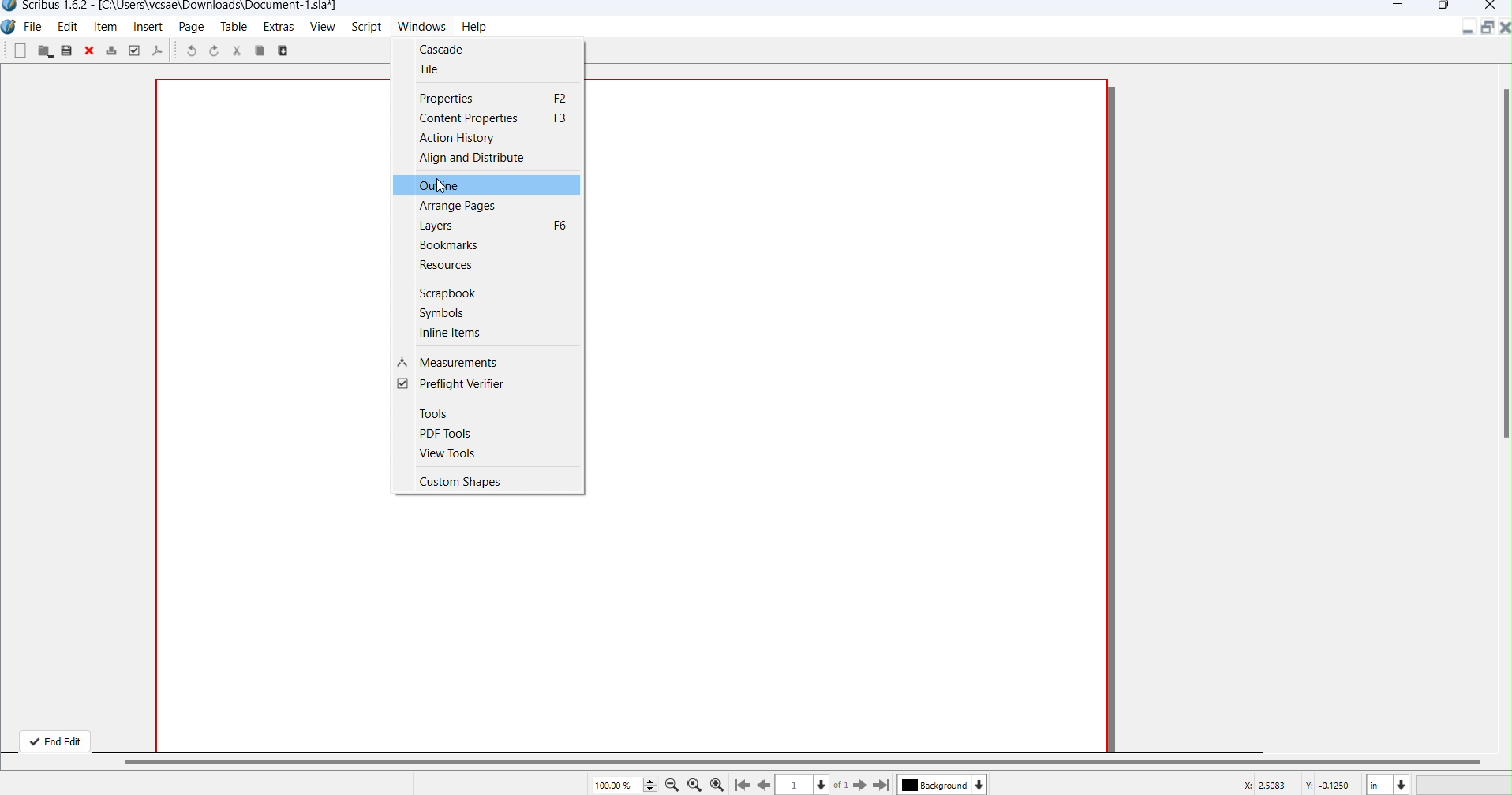 The height and width of the screenshot is (795, 1512). I want to click on Action History, so click(458, 139).